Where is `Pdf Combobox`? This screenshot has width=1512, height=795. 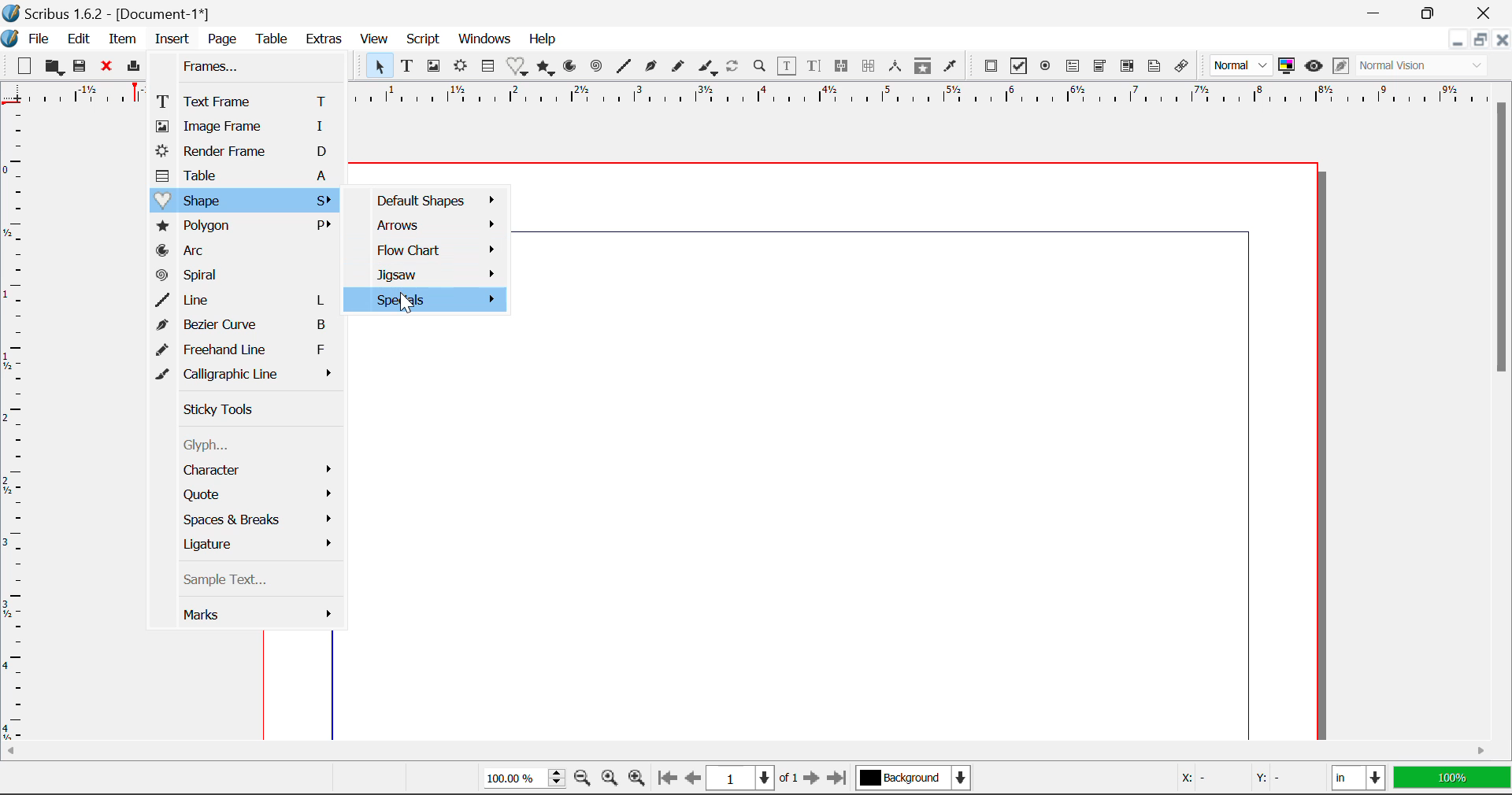
Pdf Combobox is located at coordinates (1101, 68).